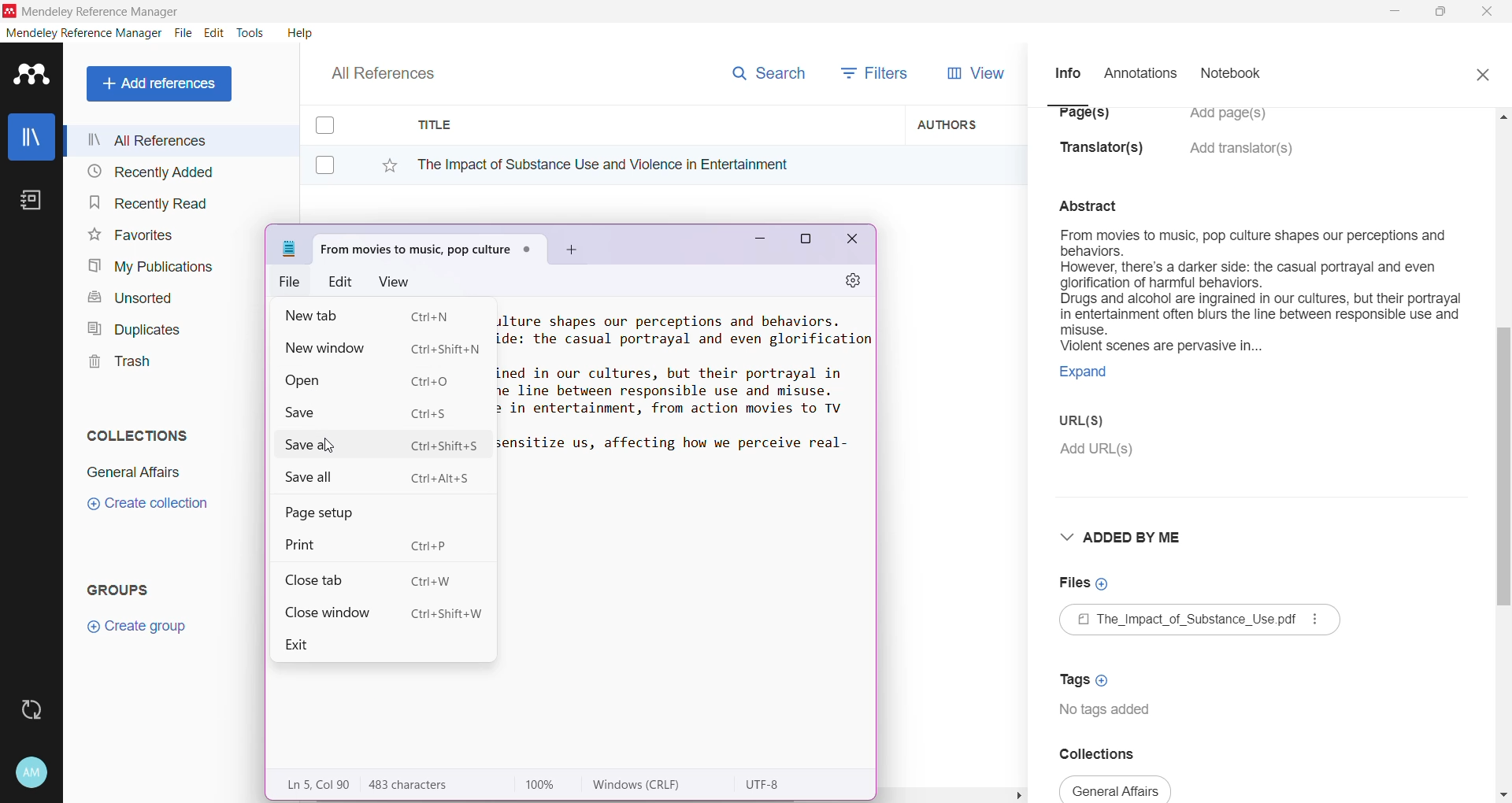 The image size is (1512, 803). I want to click on Close window, so click(384, 612).